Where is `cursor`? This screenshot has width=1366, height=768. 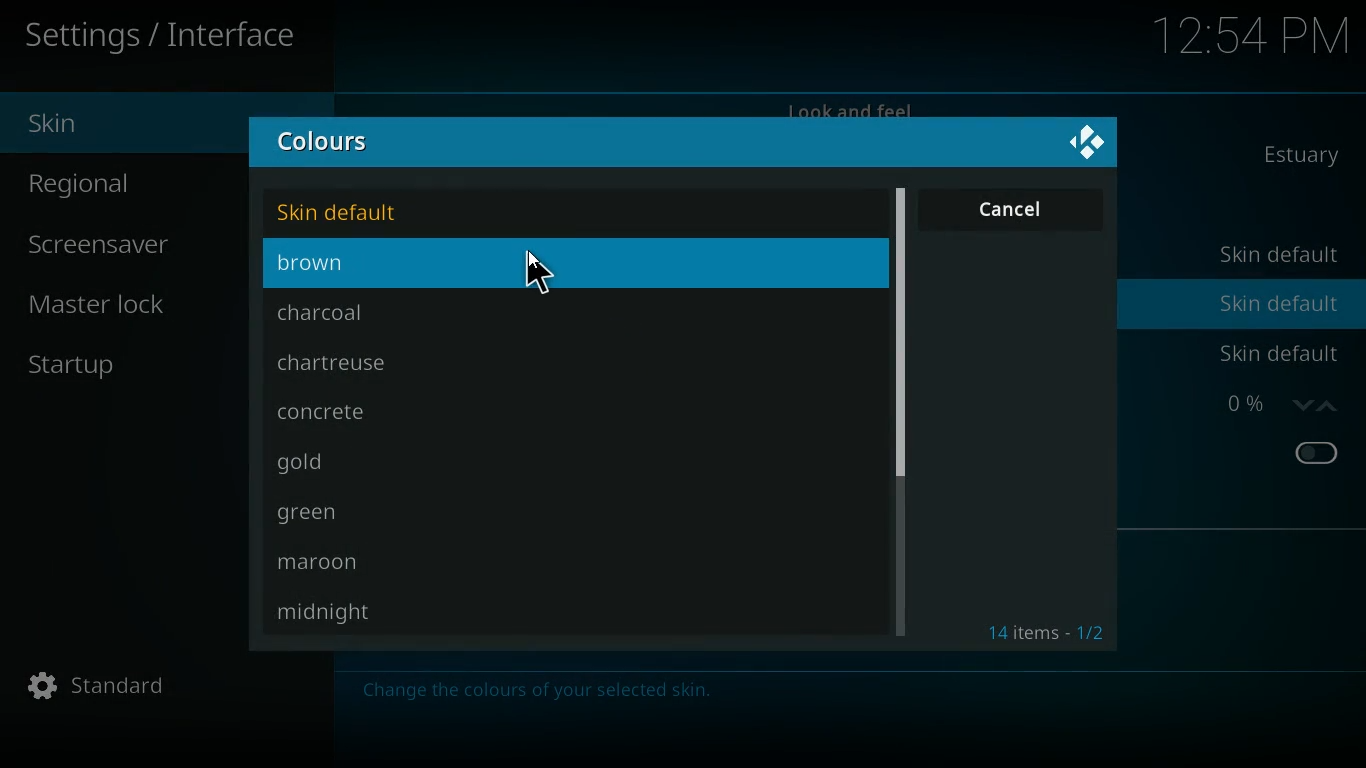 cursor is located at coordinates (541, 274).